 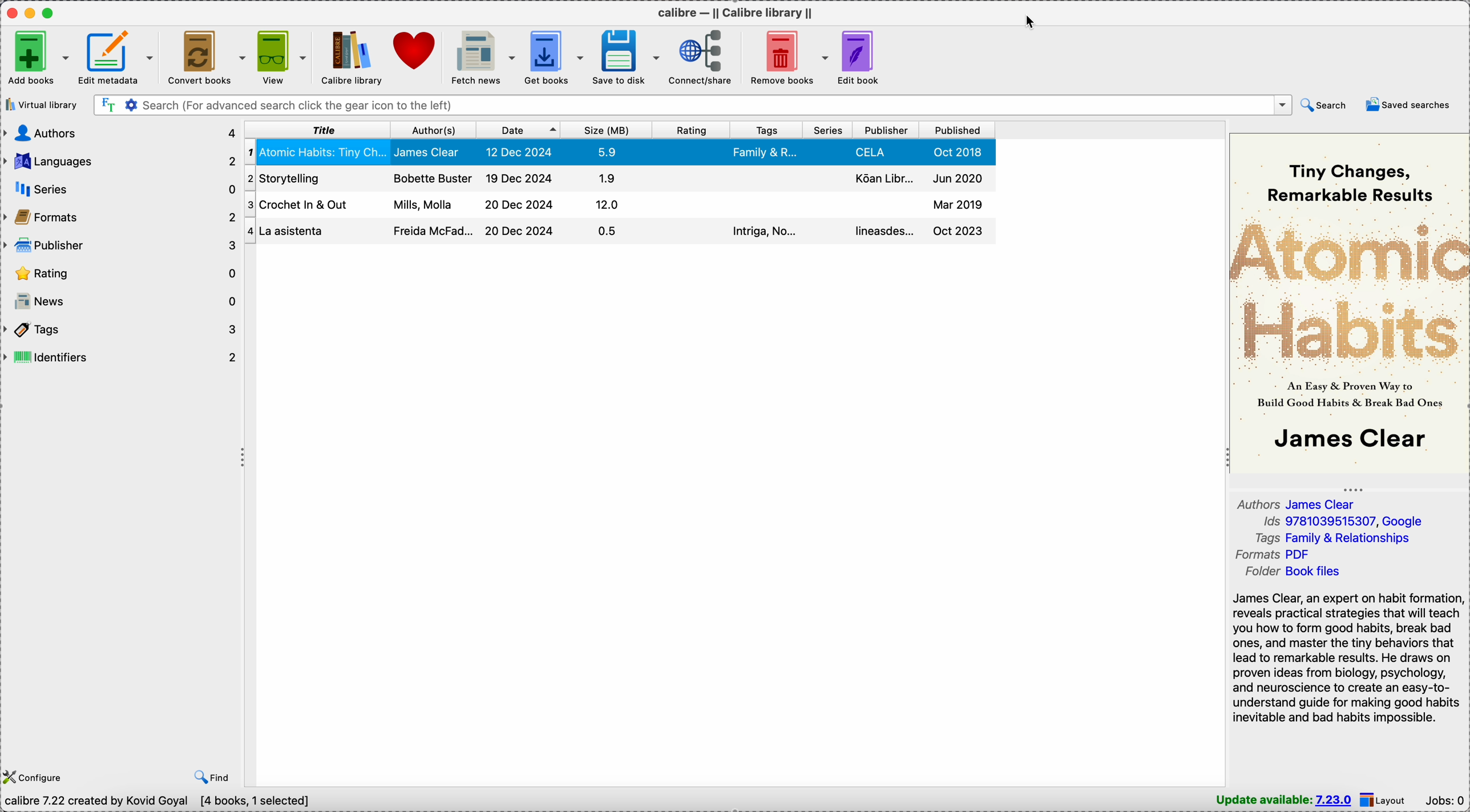 I want to click on Calibre library, so click(x=349, y=56).